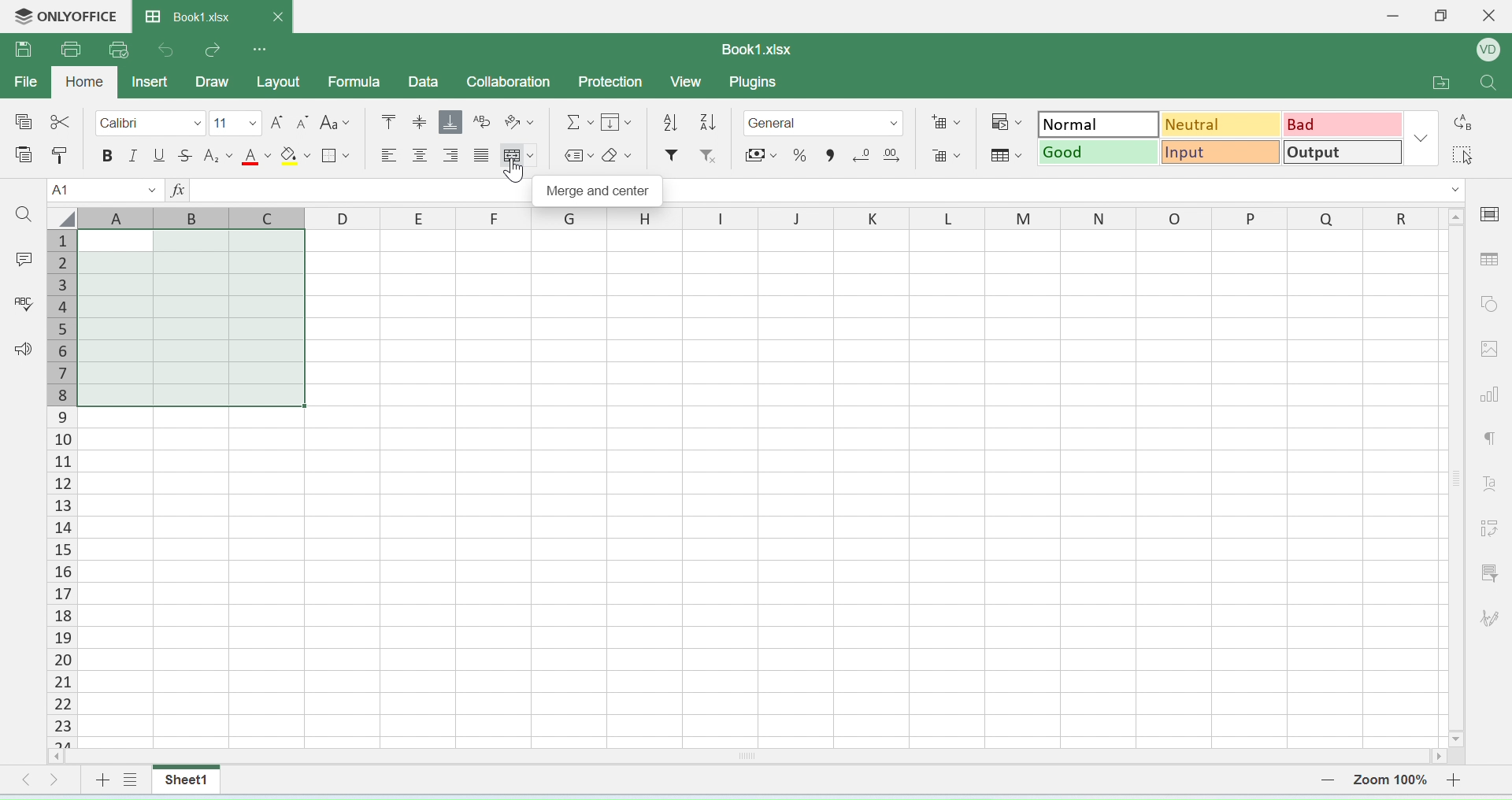 The height and width of the screenshot is (800, 1512). What do you see at coordinates (1492, 15) in the screenshot?
I see `close` at bounding box center [1492, 15].